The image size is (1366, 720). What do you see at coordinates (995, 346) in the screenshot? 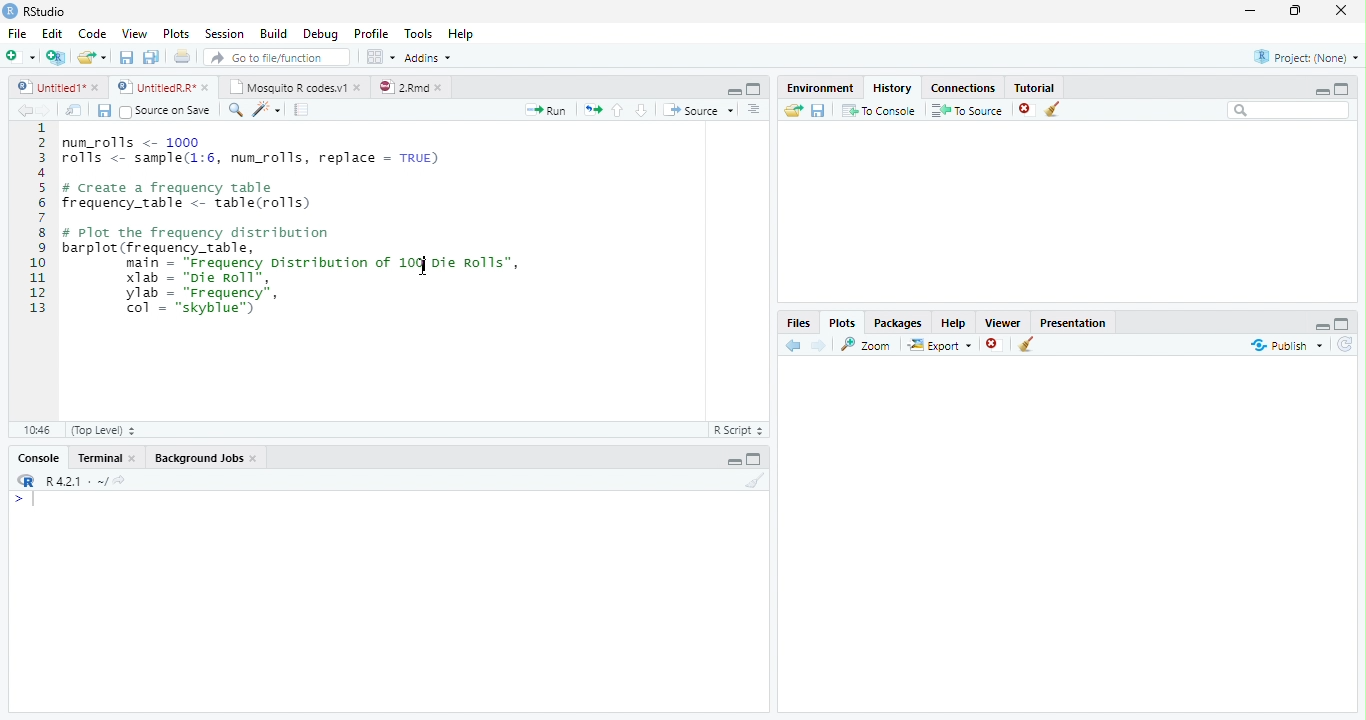
I see `Remove Selected` at bounding box center [995, 346].